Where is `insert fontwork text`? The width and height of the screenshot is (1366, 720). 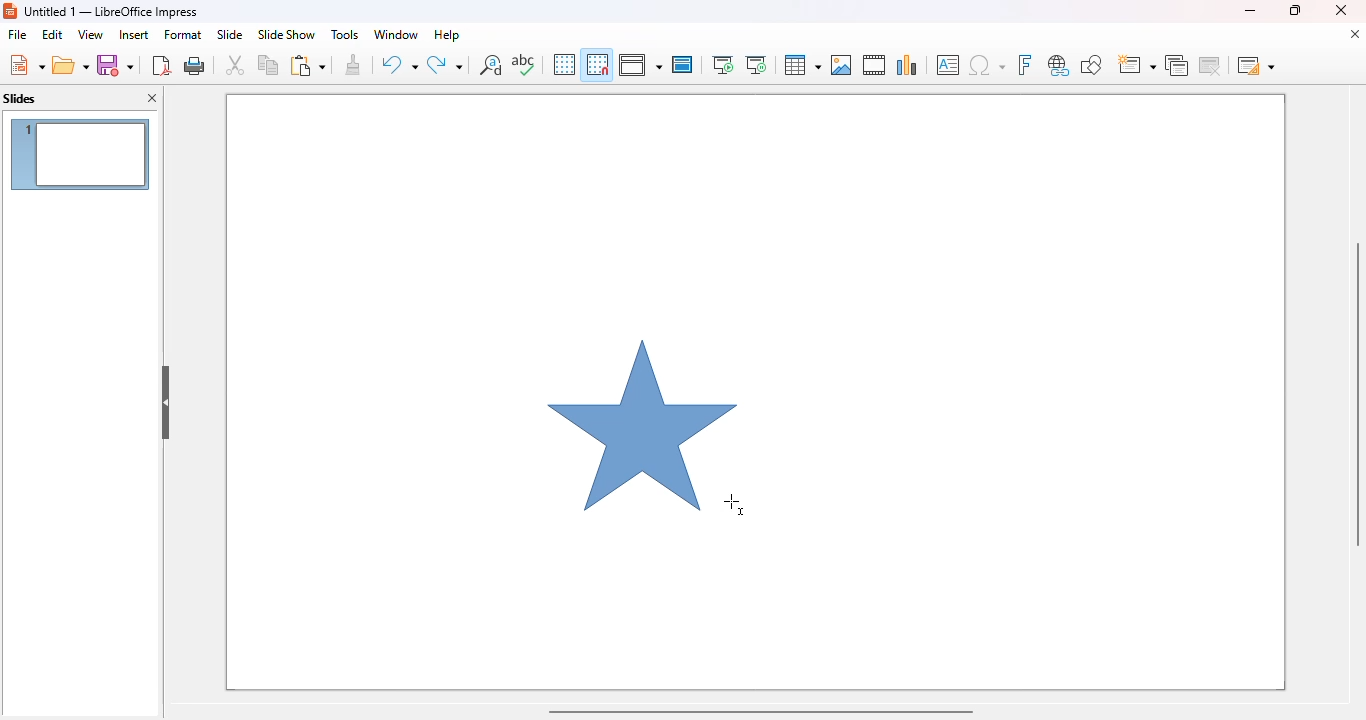 insert fontwork text is located at coordinates (1024, 64).